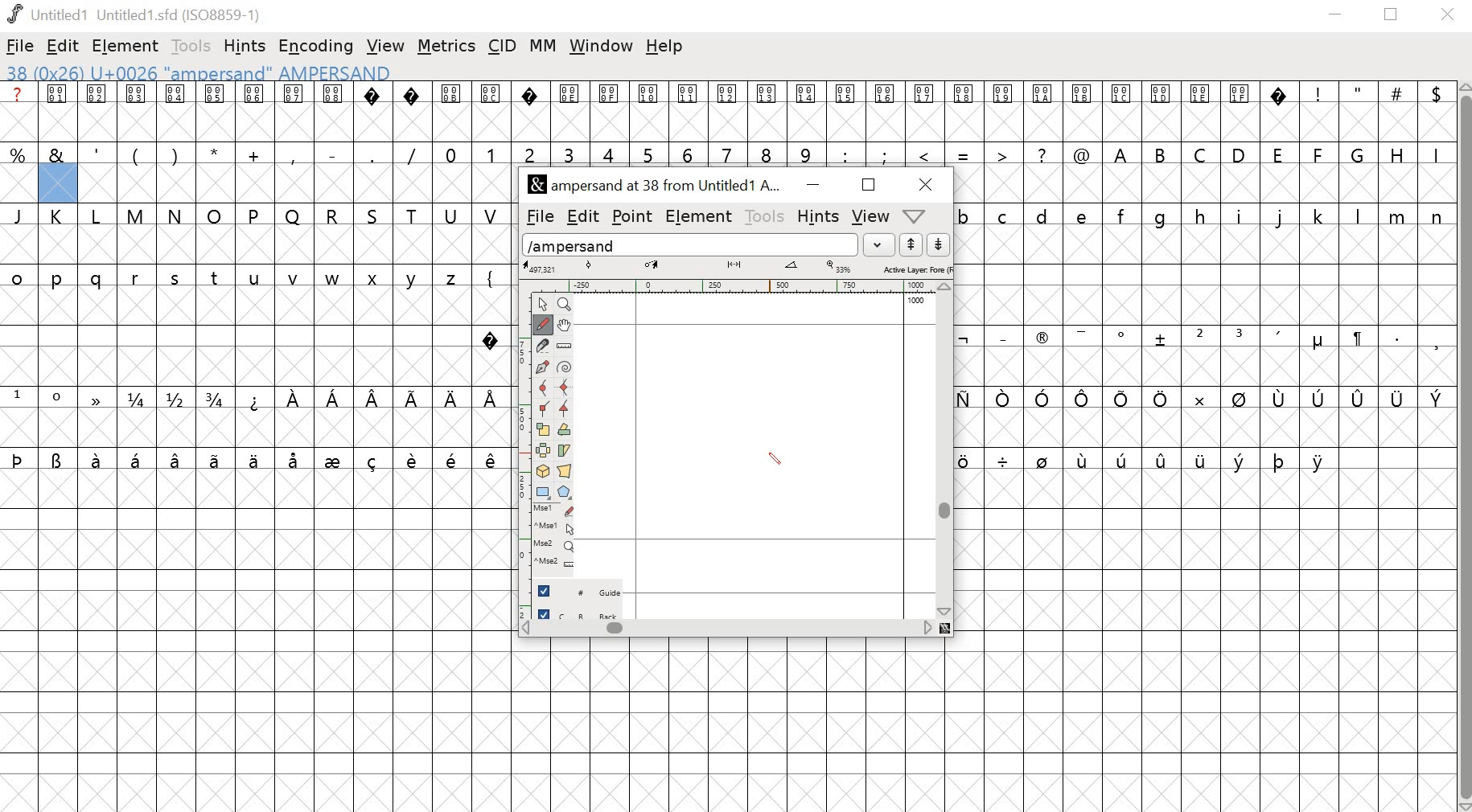  What do you see at coordinates (544, 471) in the screenshot?
I see `rotate the selection in 3D and project back to plane ` at bounding box center [544, 471].